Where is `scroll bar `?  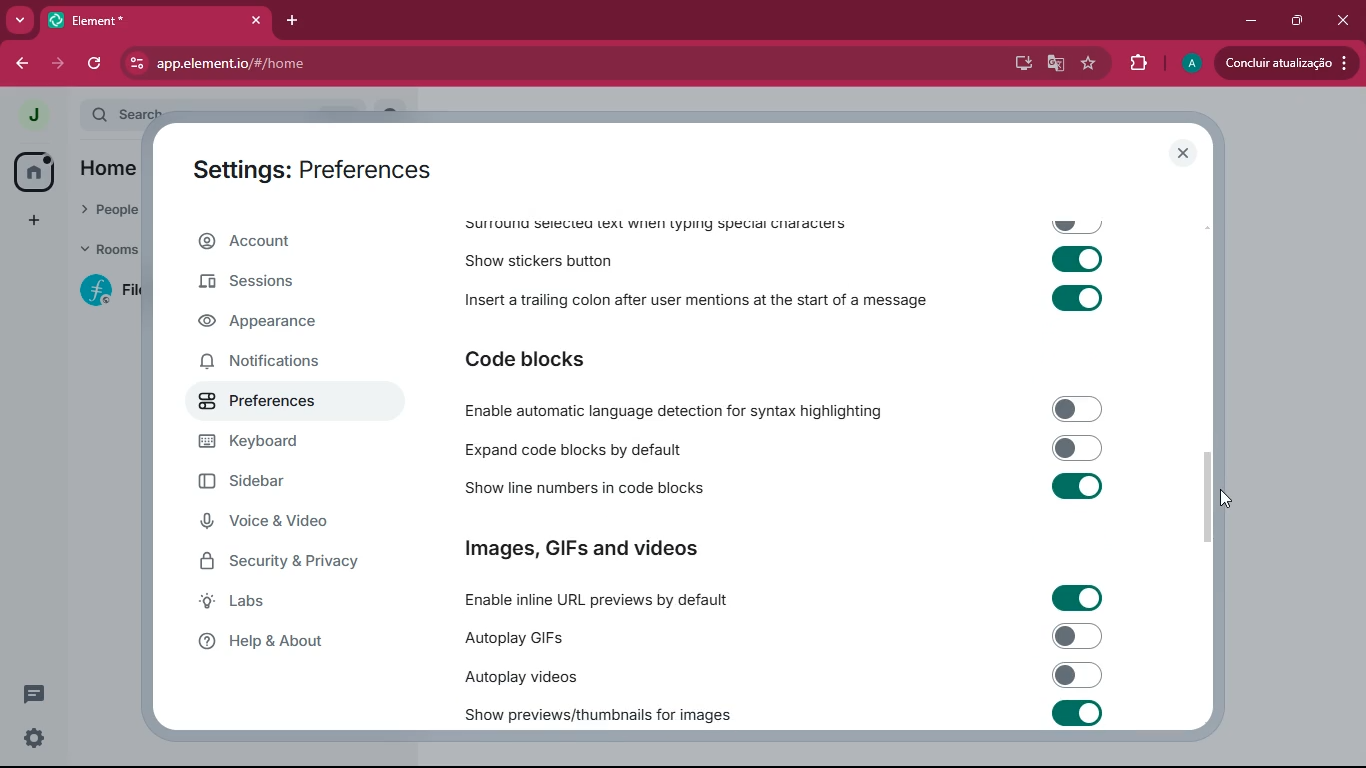
scroll bar  is located at coordinates (1213, 492).